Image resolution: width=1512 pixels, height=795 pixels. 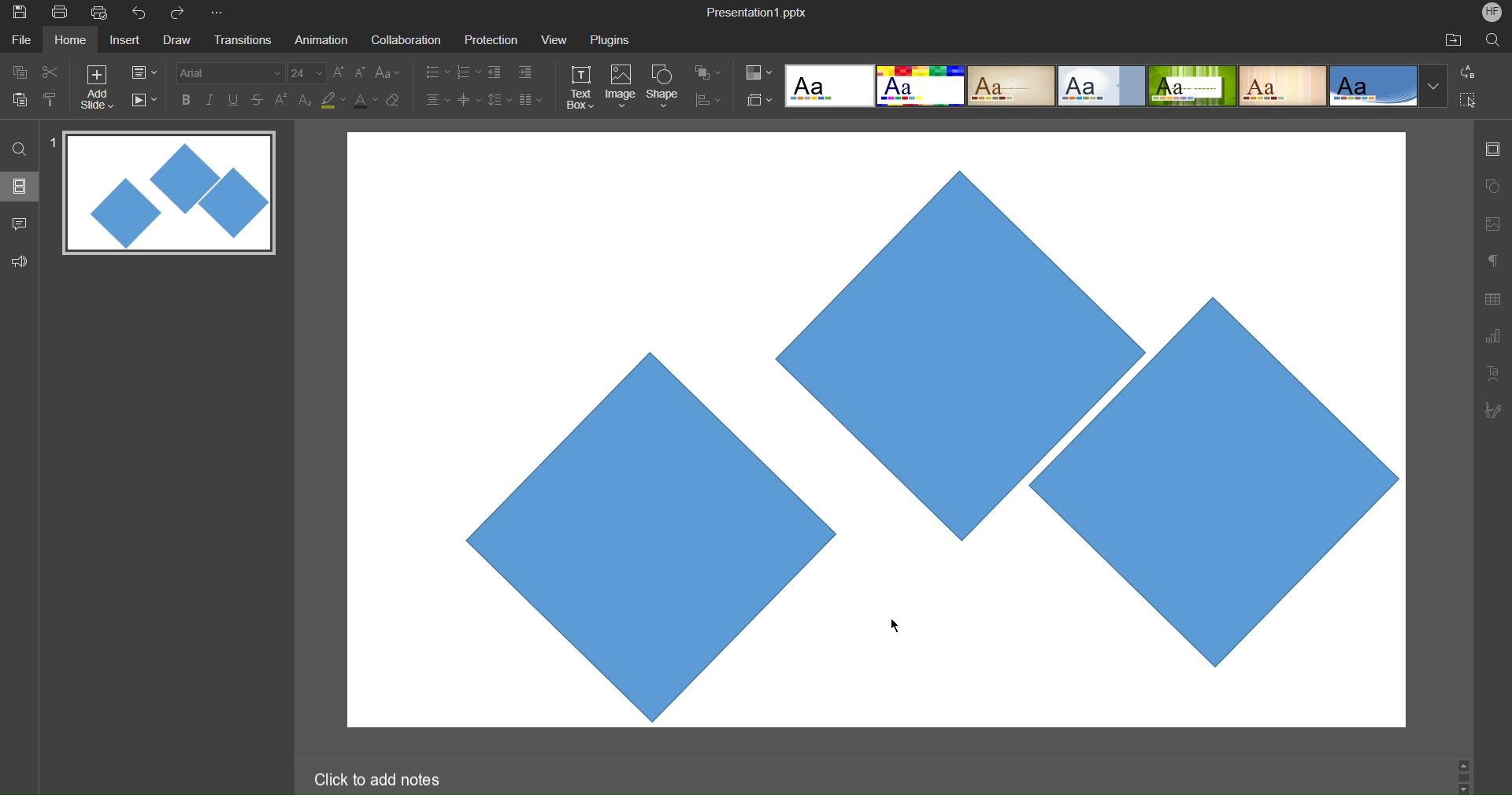 I want to click on Superscript, so click(x=283, y=99).